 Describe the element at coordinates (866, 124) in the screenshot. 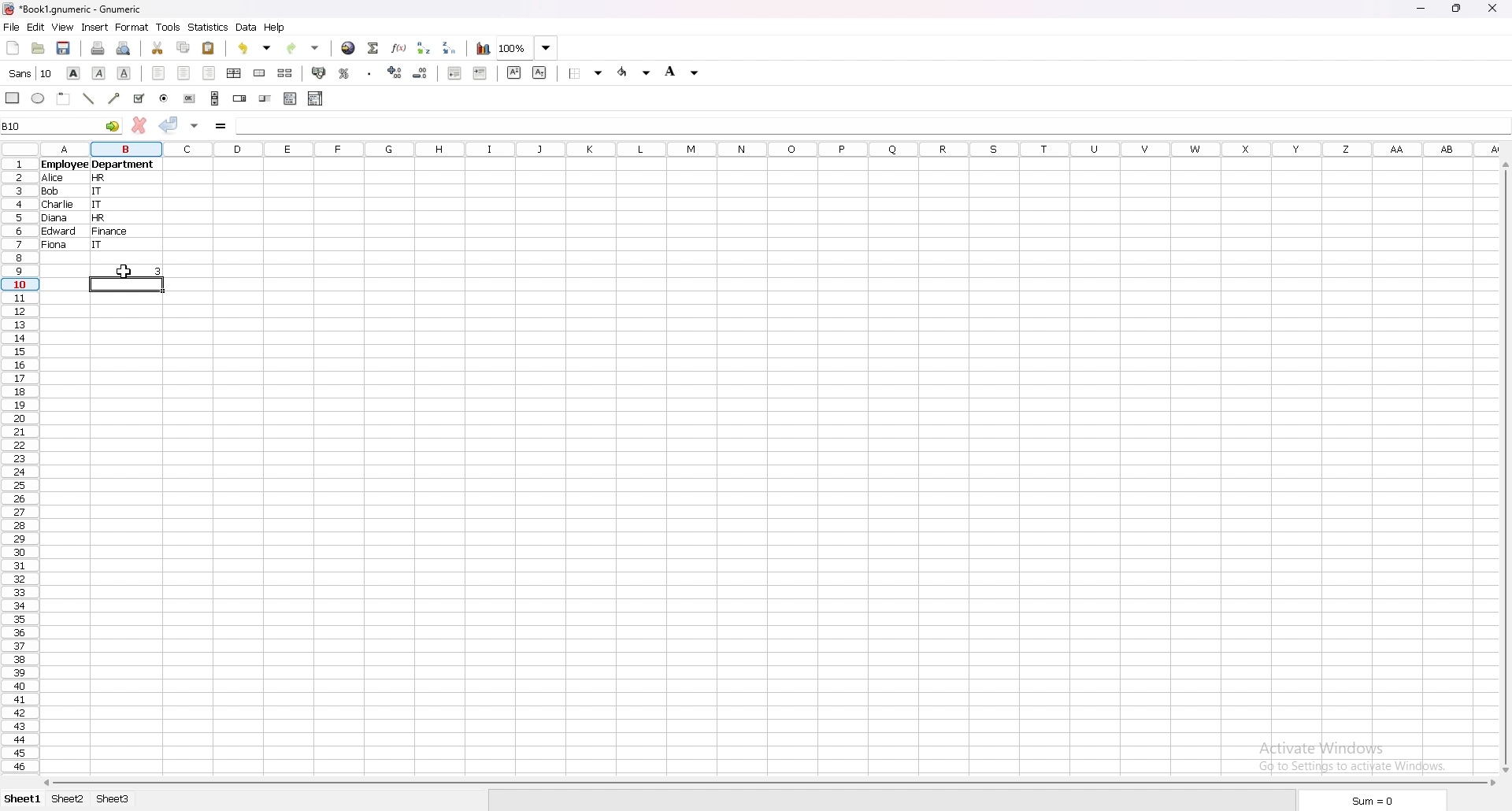

I see `cell input` at that location.